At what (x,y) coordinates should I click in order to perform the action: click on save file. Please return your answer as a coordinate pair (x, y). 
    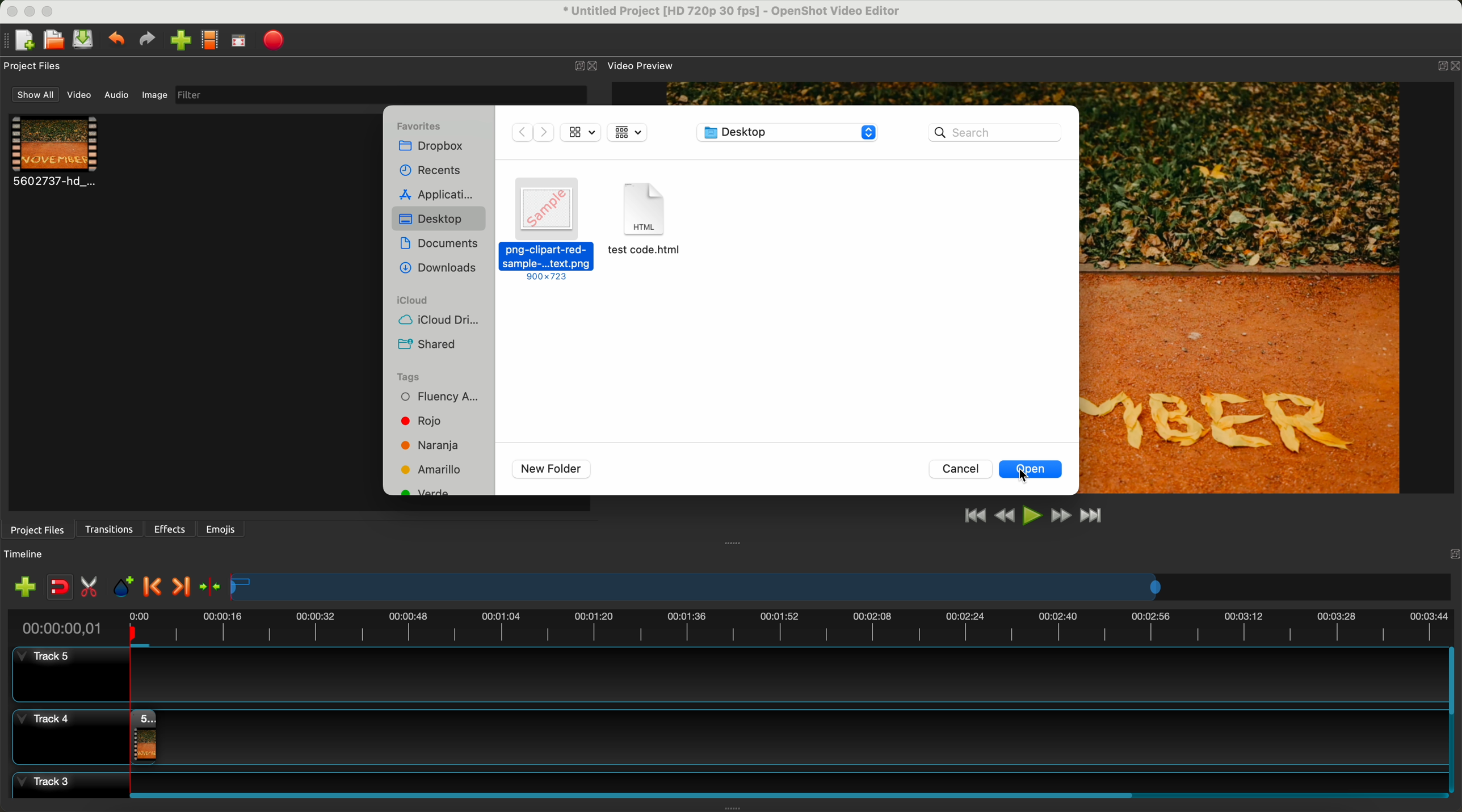
    Looking at the image, I should click on (85, 40).